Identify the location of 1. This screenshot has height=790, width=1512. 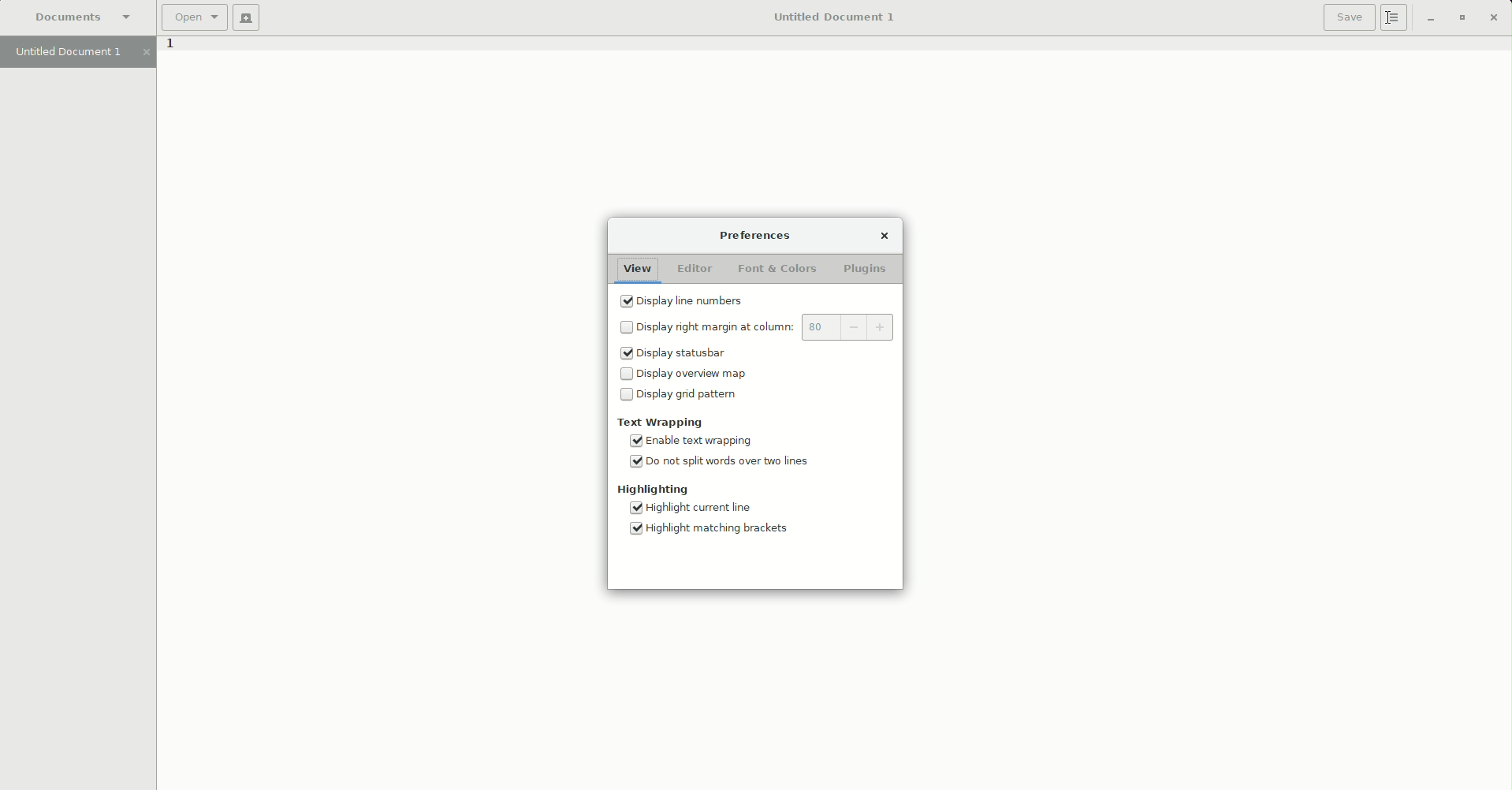
(169, 47).